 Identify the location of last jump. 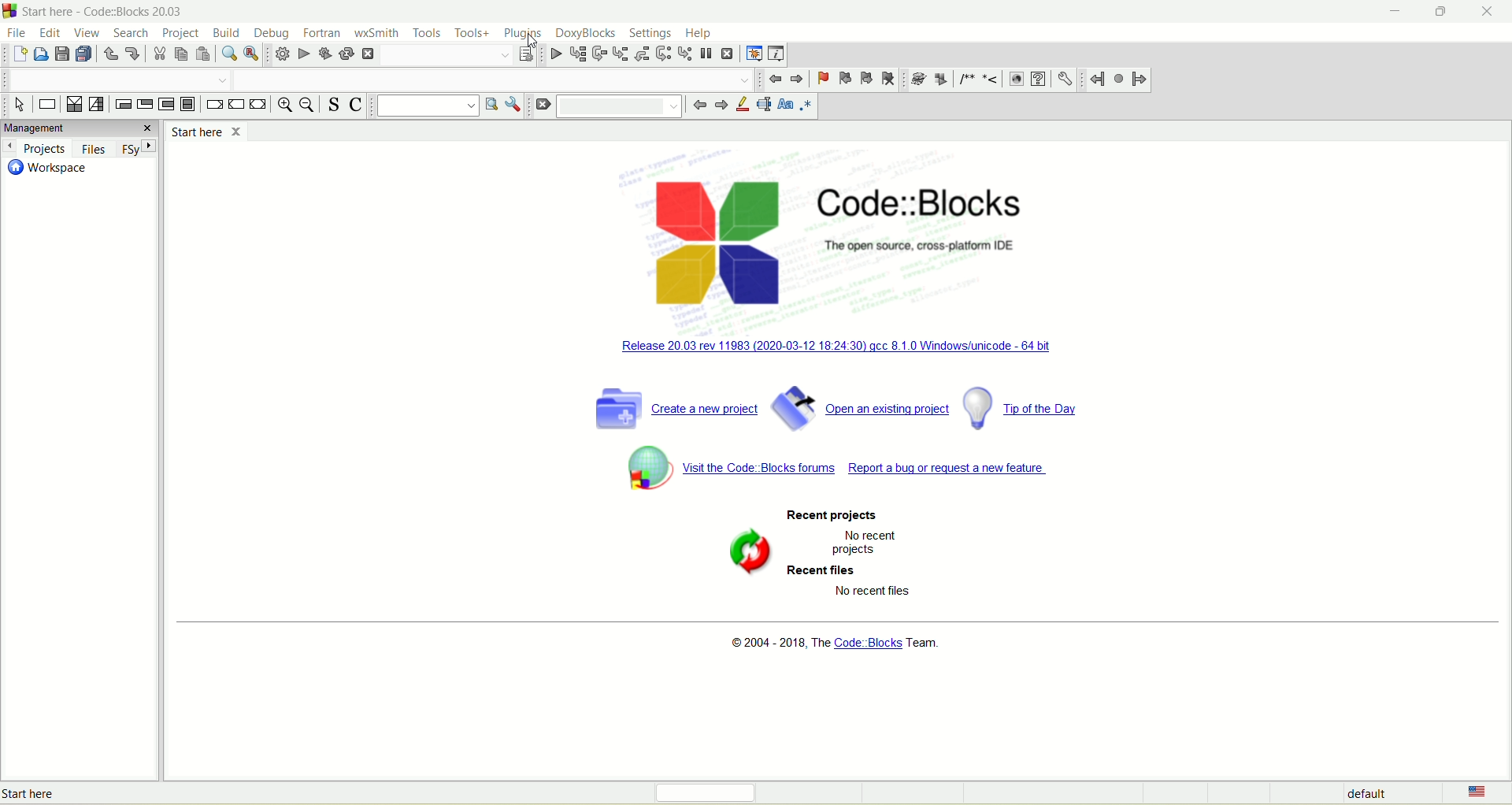
(1118, 78).